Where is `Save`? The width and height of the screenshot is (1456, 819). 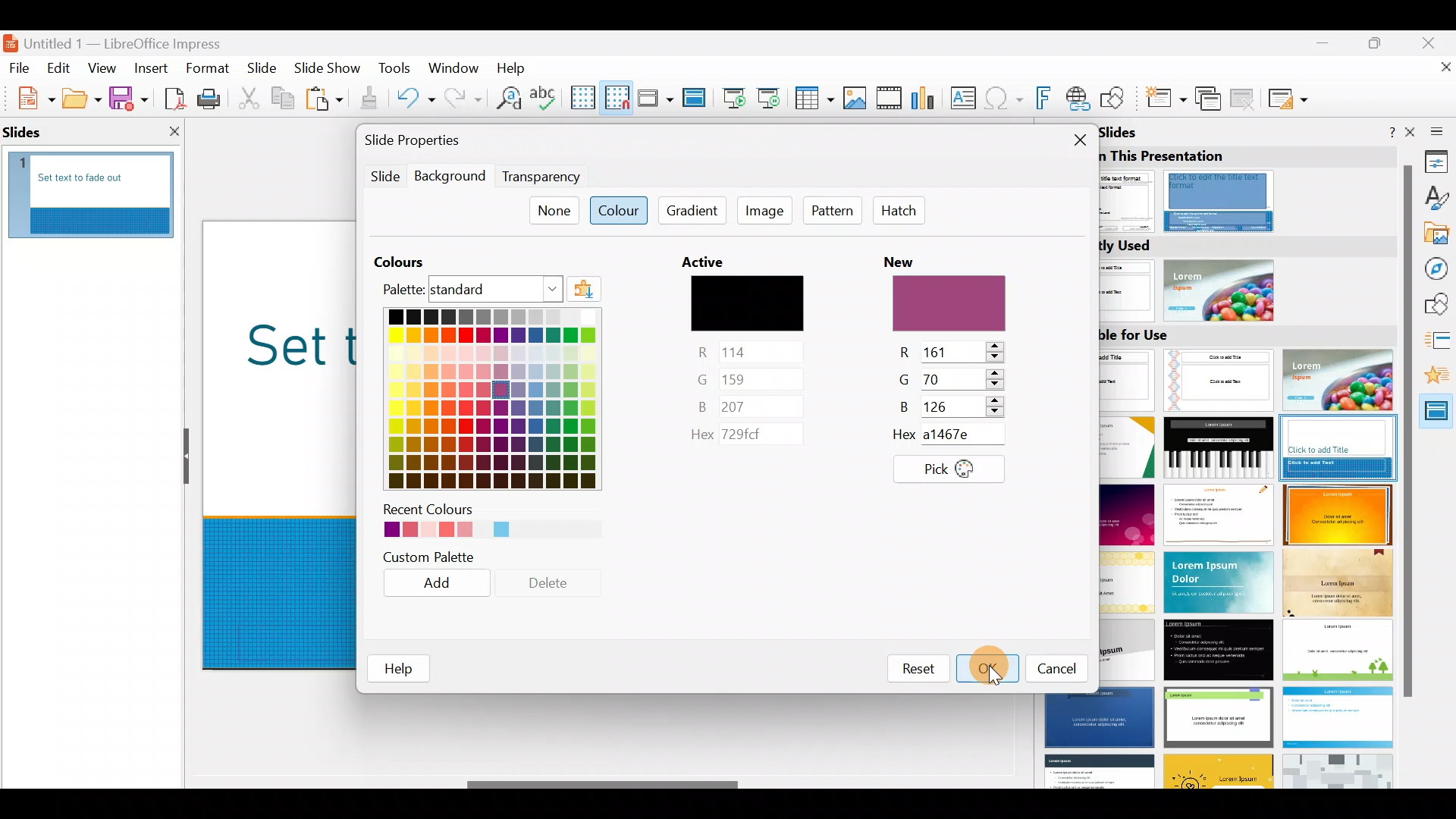 Save is located at coordinates (128, 97).